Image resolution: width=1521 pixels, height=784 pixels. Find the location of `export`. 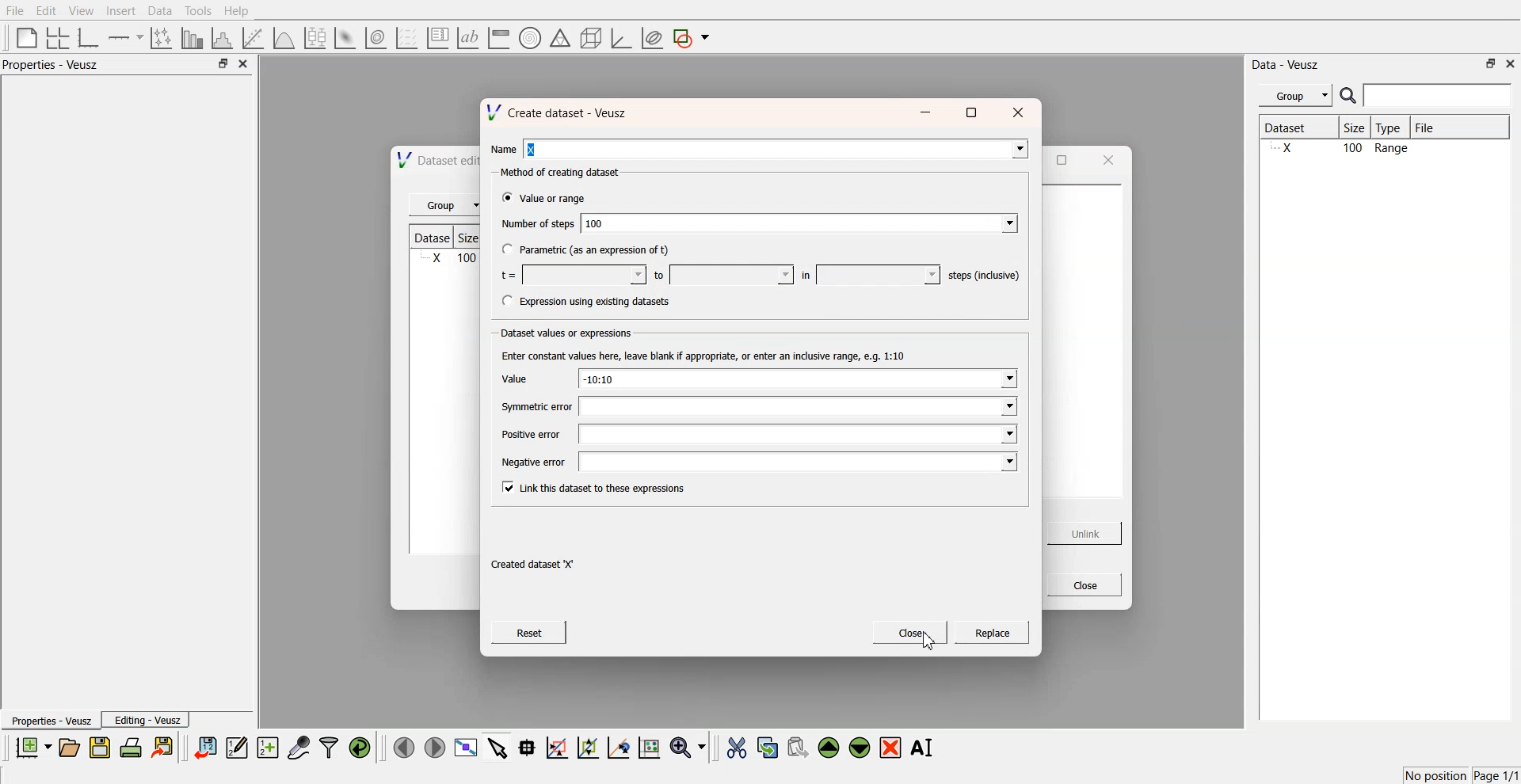

export is located at coordinates (164, 747).